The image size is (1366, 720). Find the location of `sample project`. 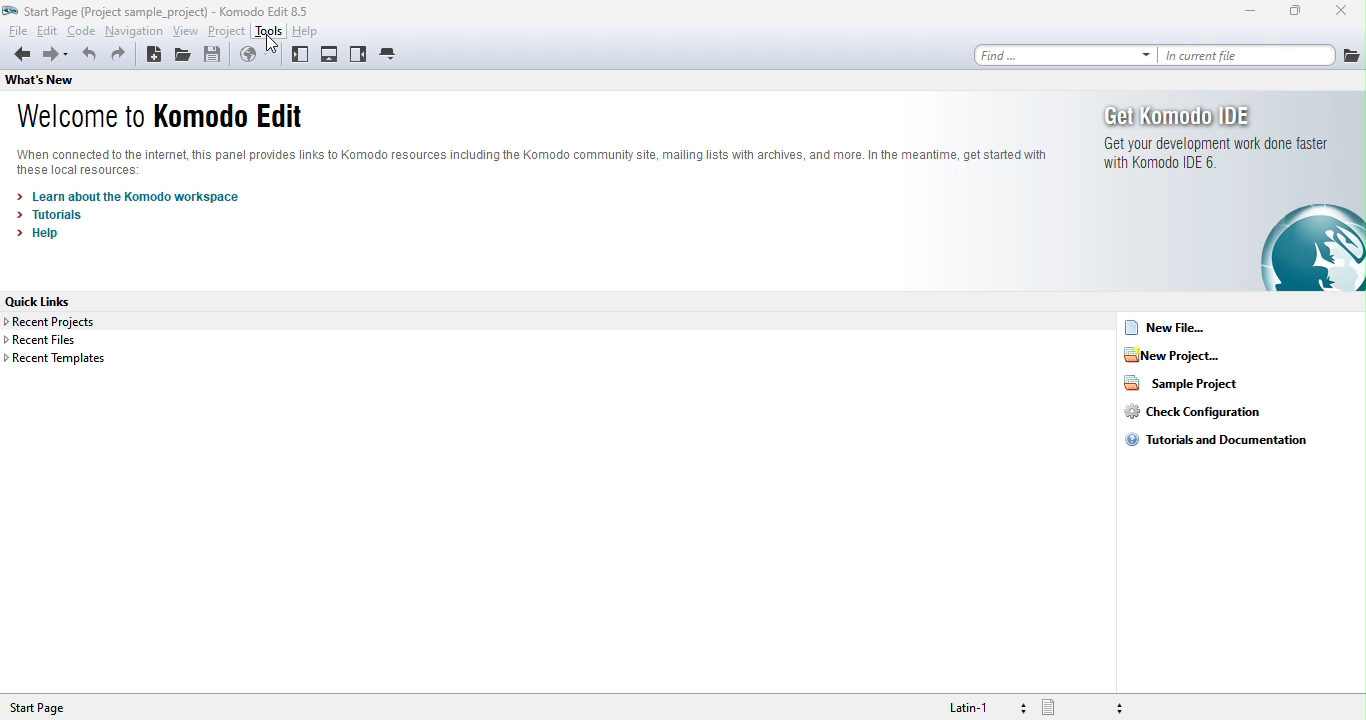

sample project is located at coordinates (1185, 386).